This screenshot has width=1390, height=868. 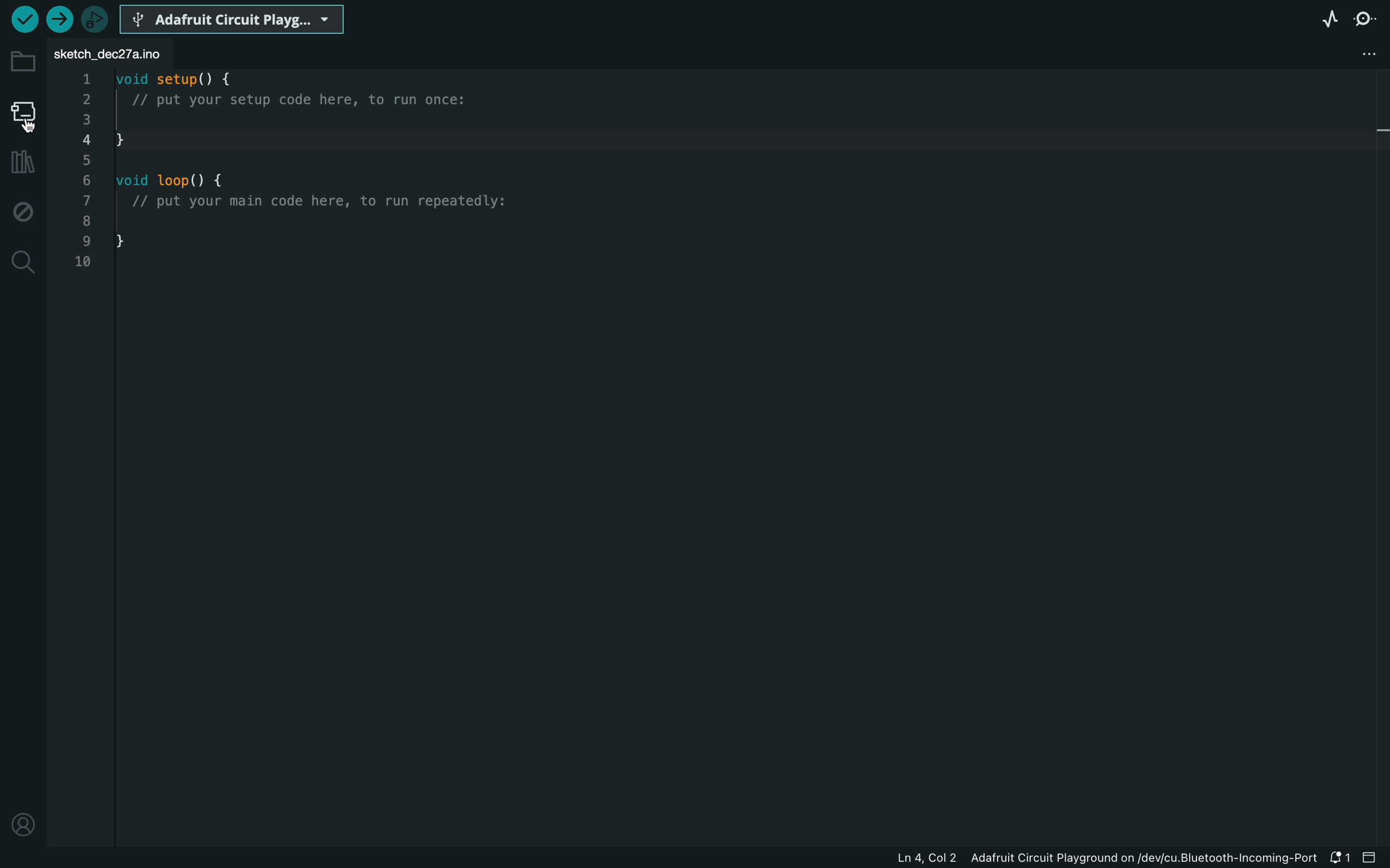 I want to click on library manager, so click(x=22, y=160).